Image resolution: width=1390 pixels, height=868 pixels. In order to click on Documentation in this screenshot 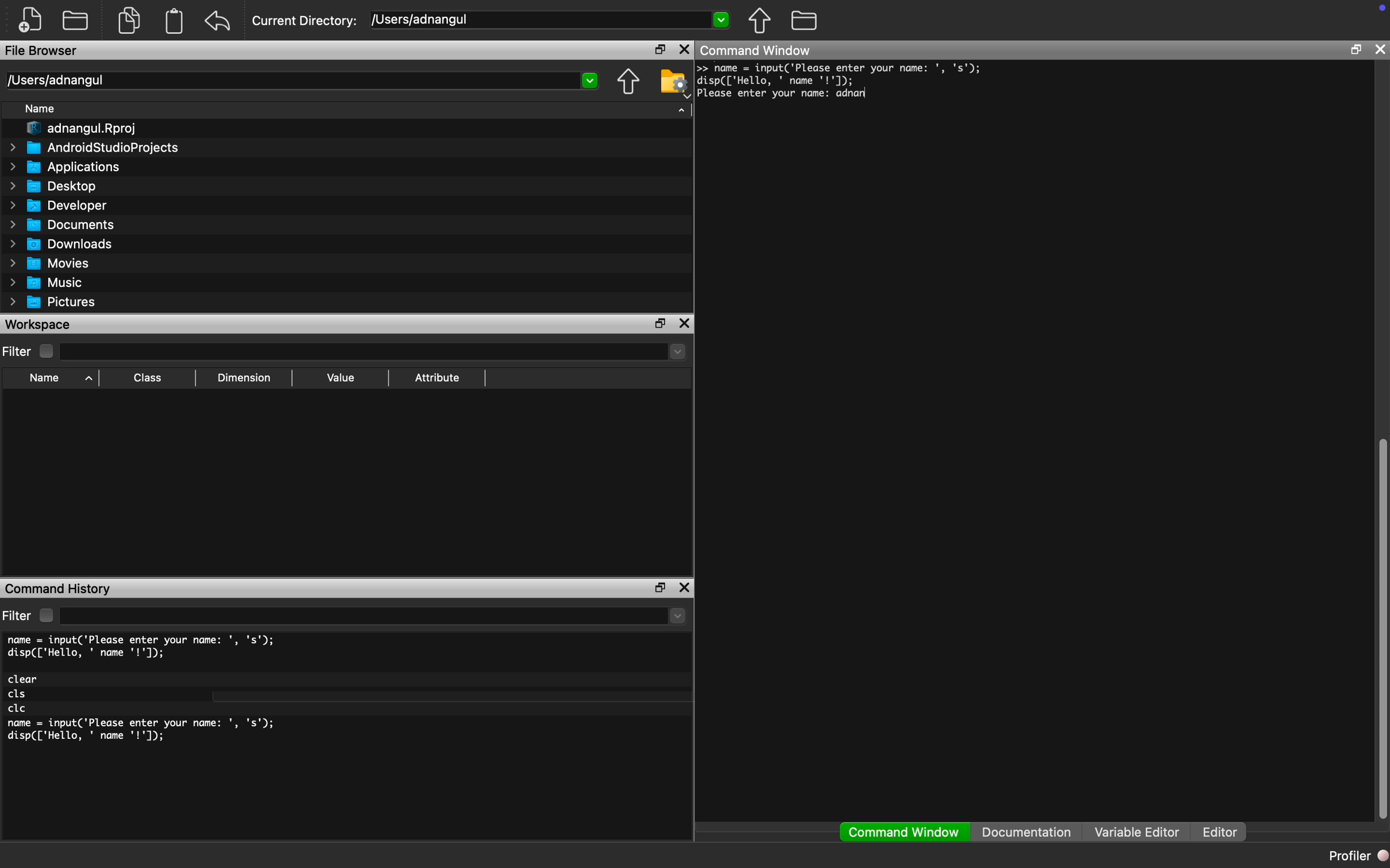, I will do `click(1026, 832)`.